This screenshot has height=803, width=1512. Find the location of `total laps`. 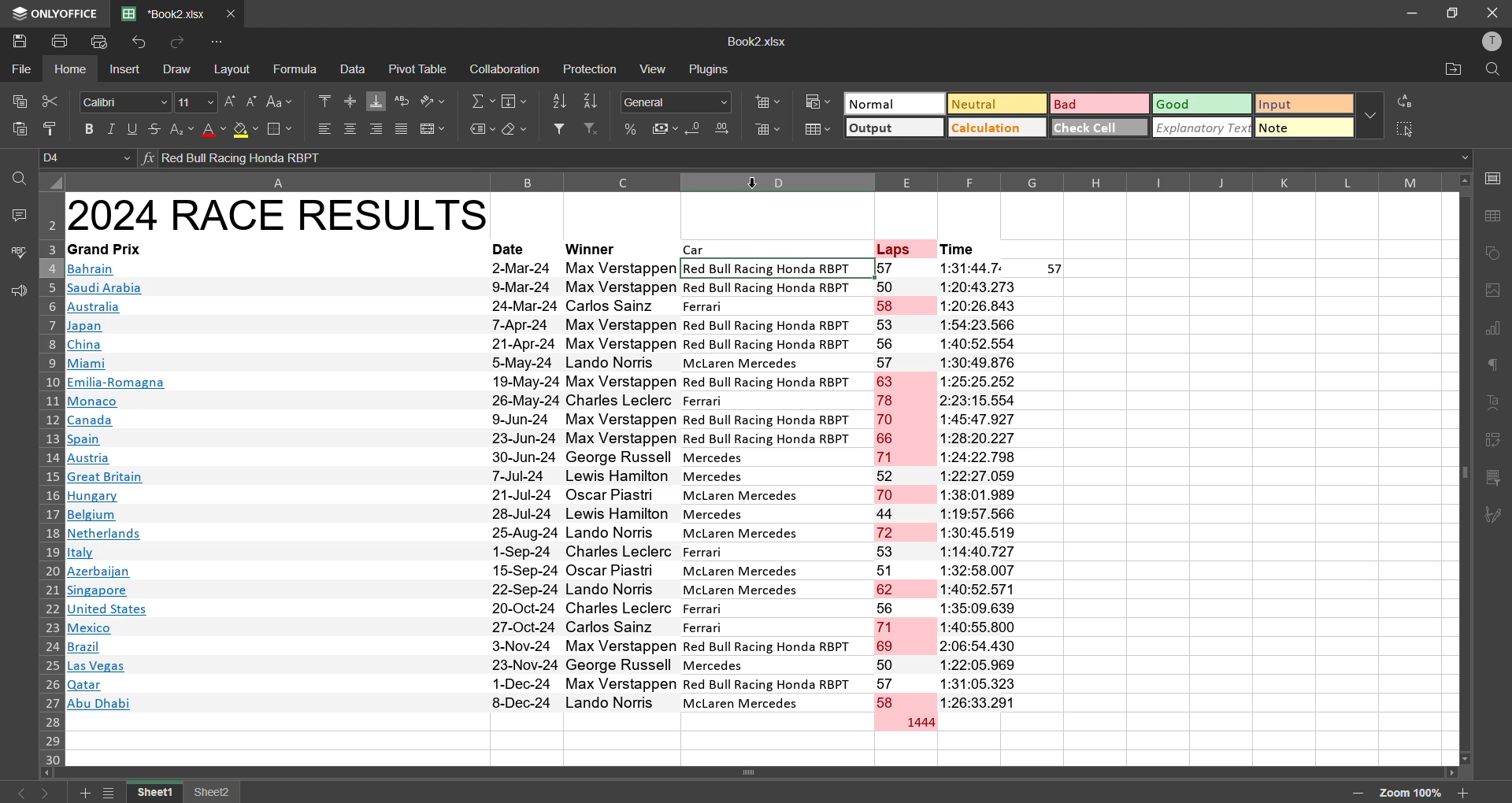

total laps is located at coordinates (918, 723).